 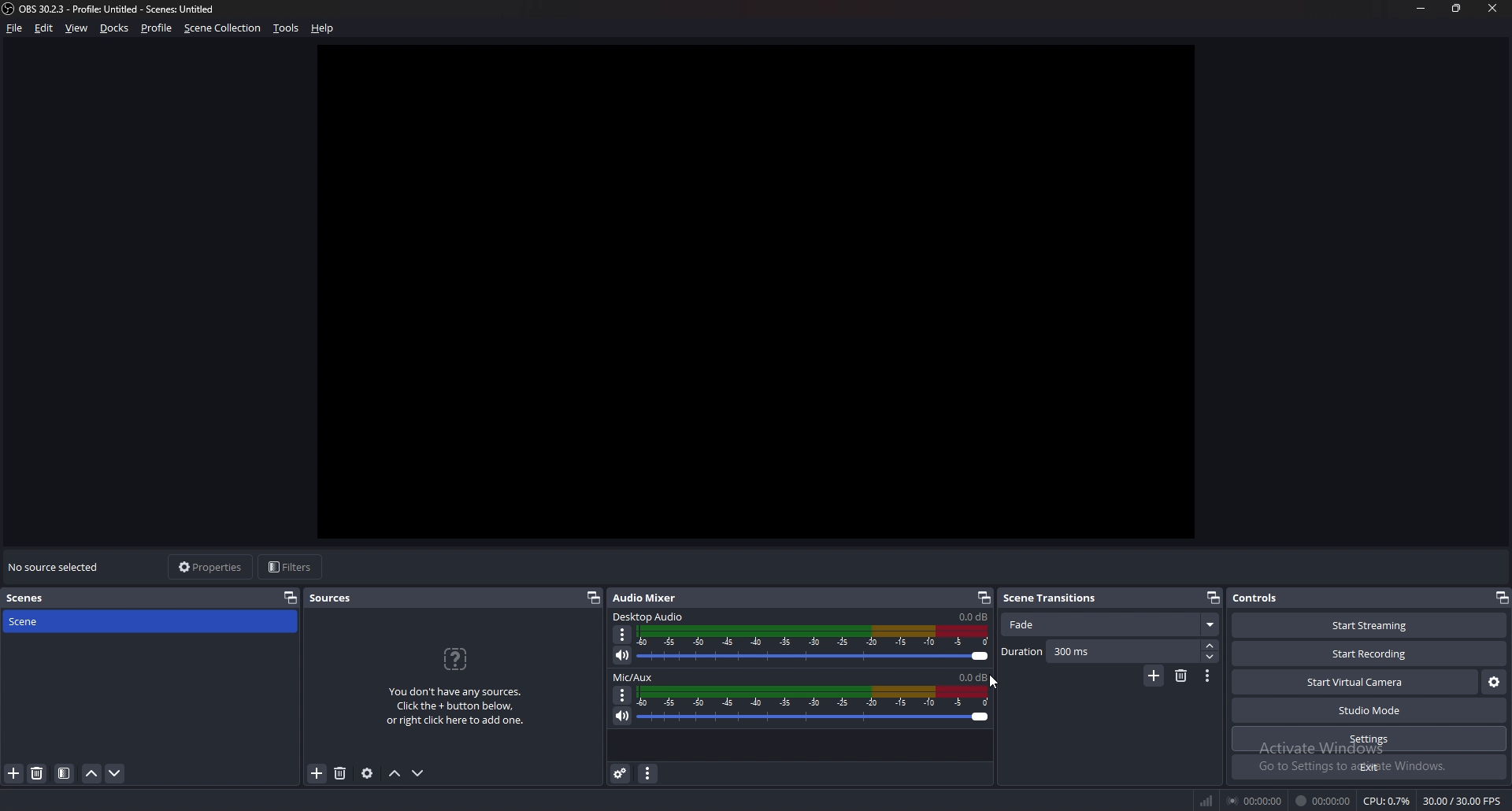 What do you see at coordinates (211, 566) in the screenshot?
I see `properties` at bounding box center [211, 566].